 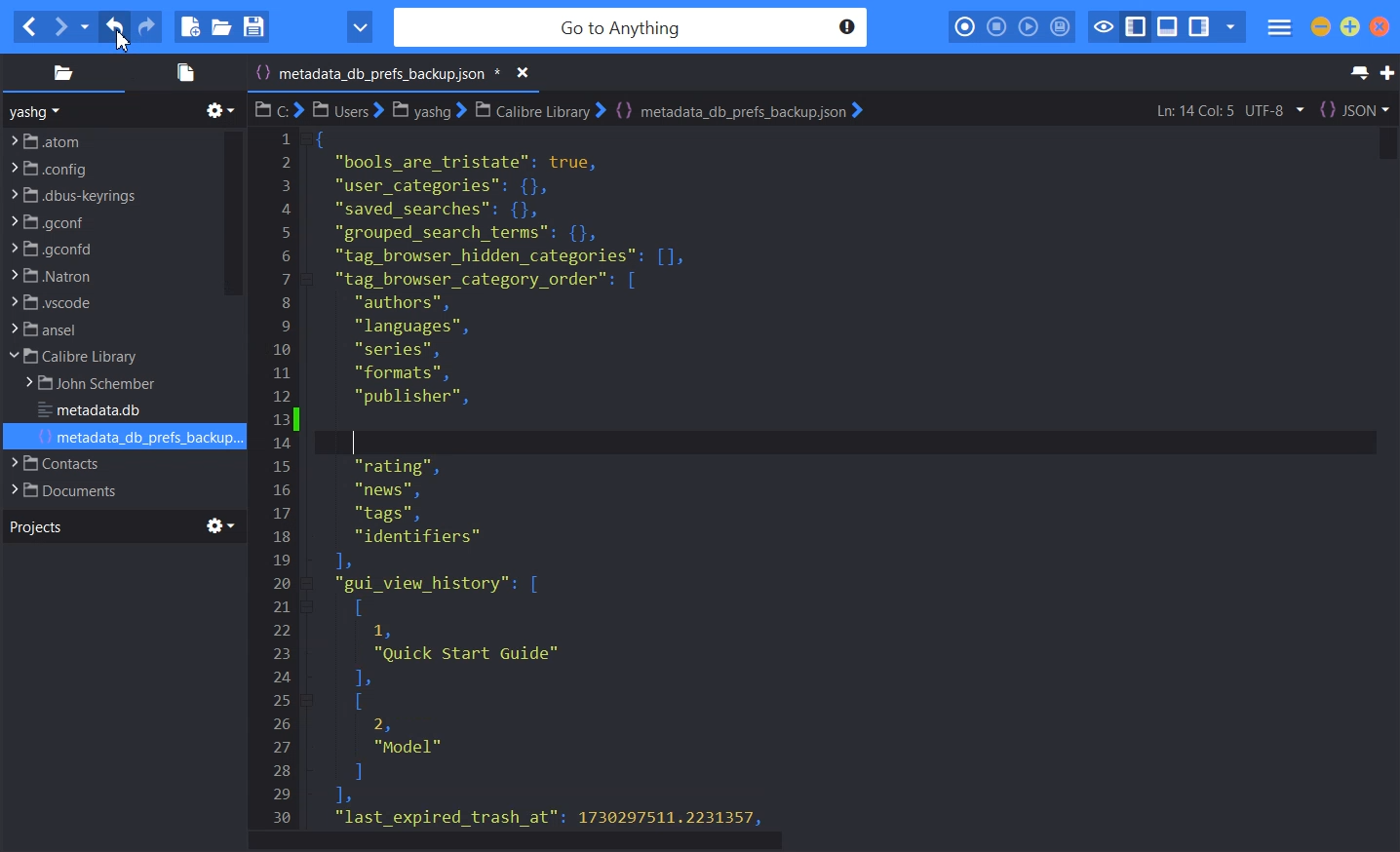 I want to click on JSON, so click(x=1354, y=109).